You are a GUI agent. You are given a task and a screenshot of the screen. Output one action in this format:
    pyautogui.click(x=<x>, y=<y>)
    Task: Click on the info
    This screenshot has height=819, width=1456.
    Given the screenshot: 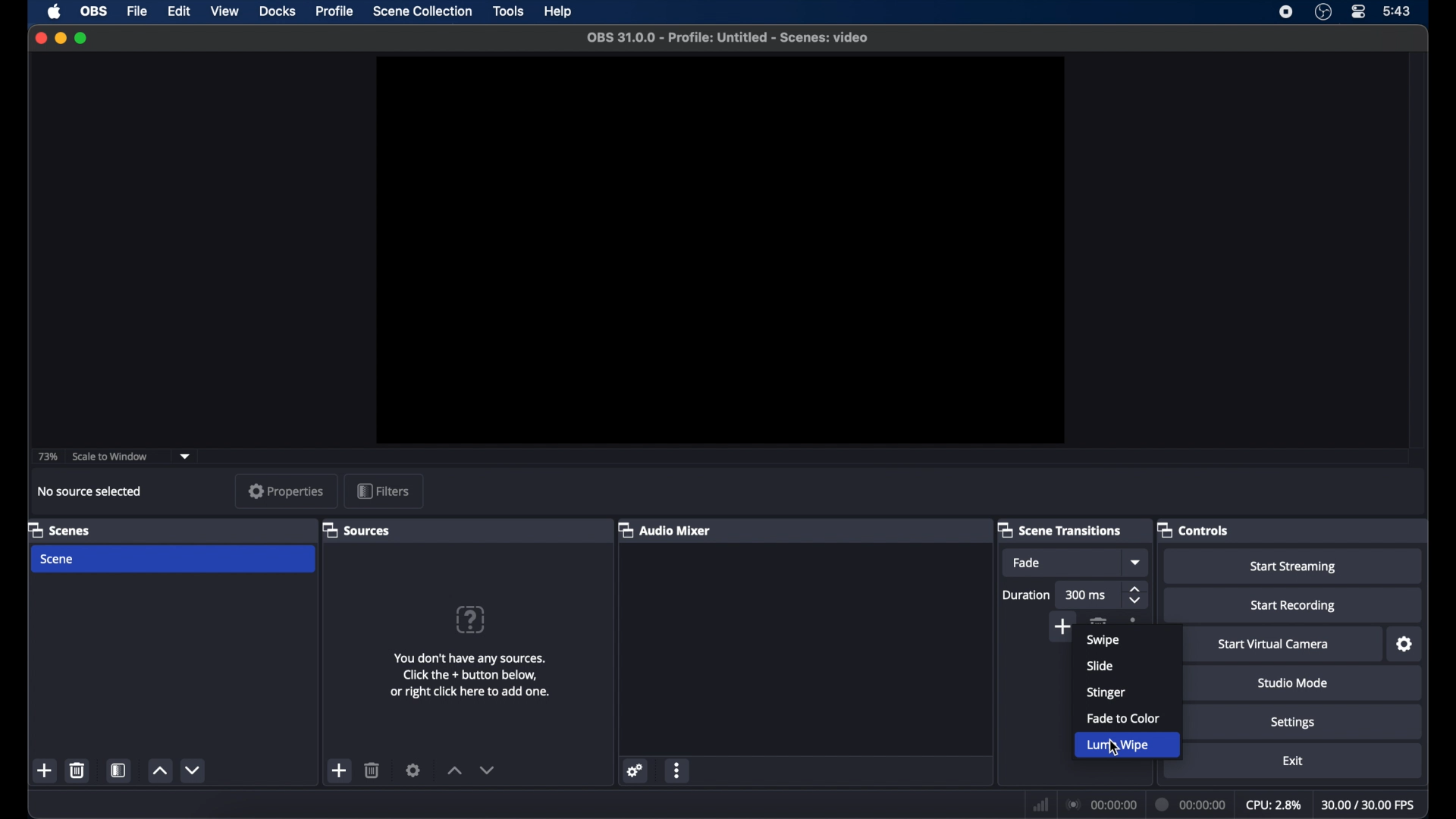 What is the action you would take?
    pyautogui.click(x=472, y=675)
    